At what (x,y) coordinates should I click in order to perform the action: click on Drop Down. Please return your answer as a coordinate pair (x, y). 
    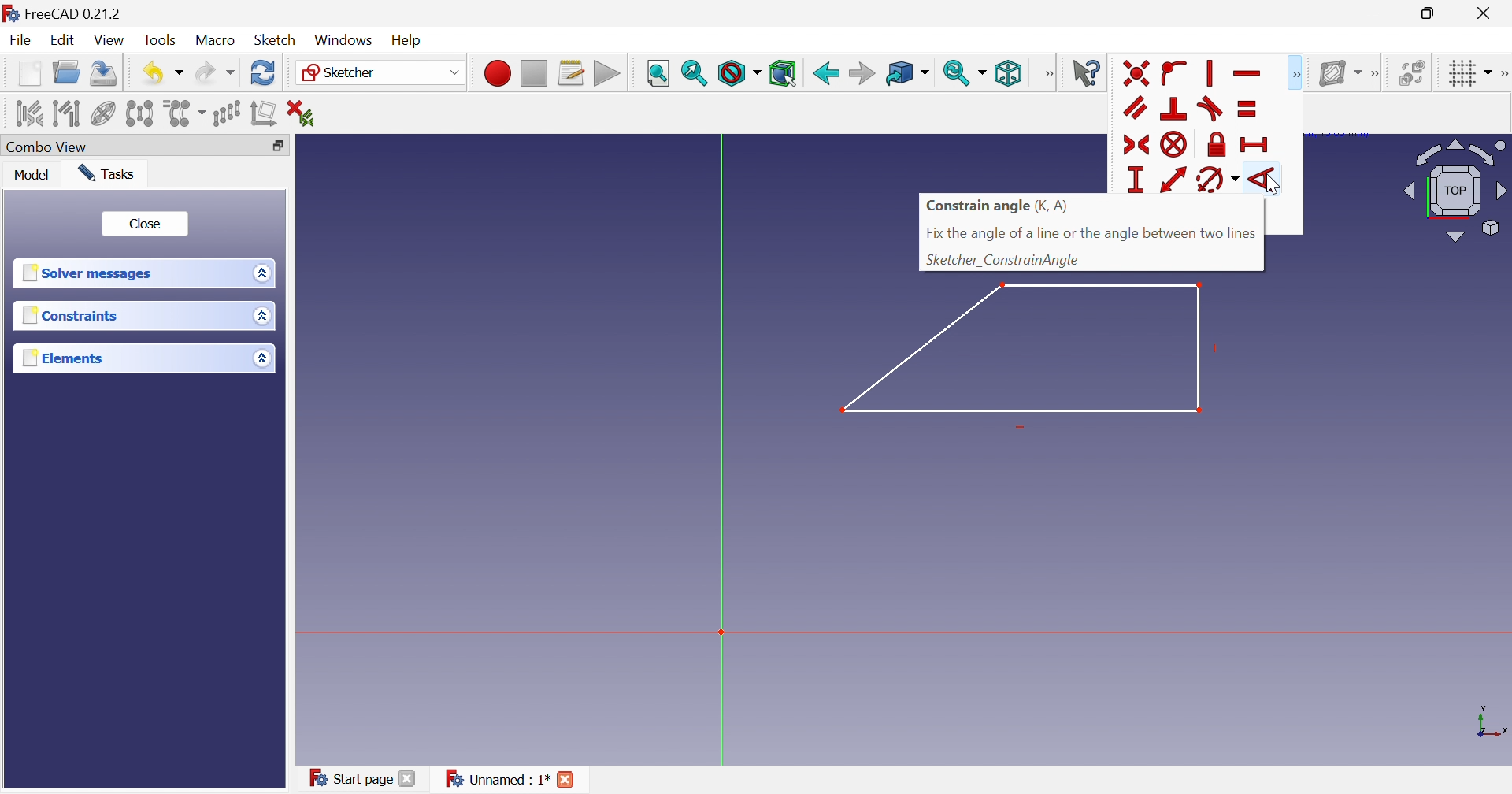
    Looking at the image, I should click on (263, 317).